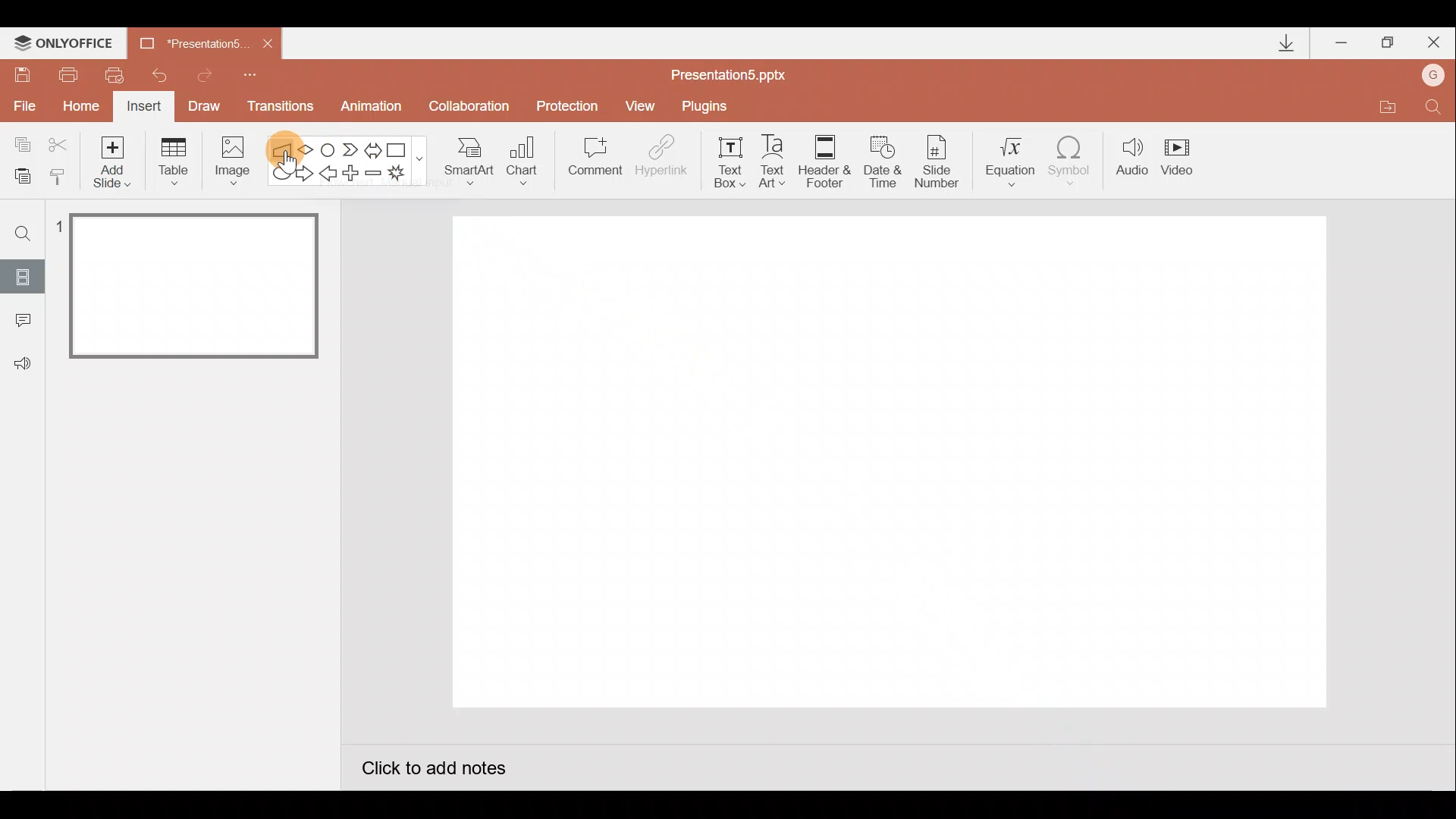  I want to click on ONLYOFFICE, so click(67, 43).